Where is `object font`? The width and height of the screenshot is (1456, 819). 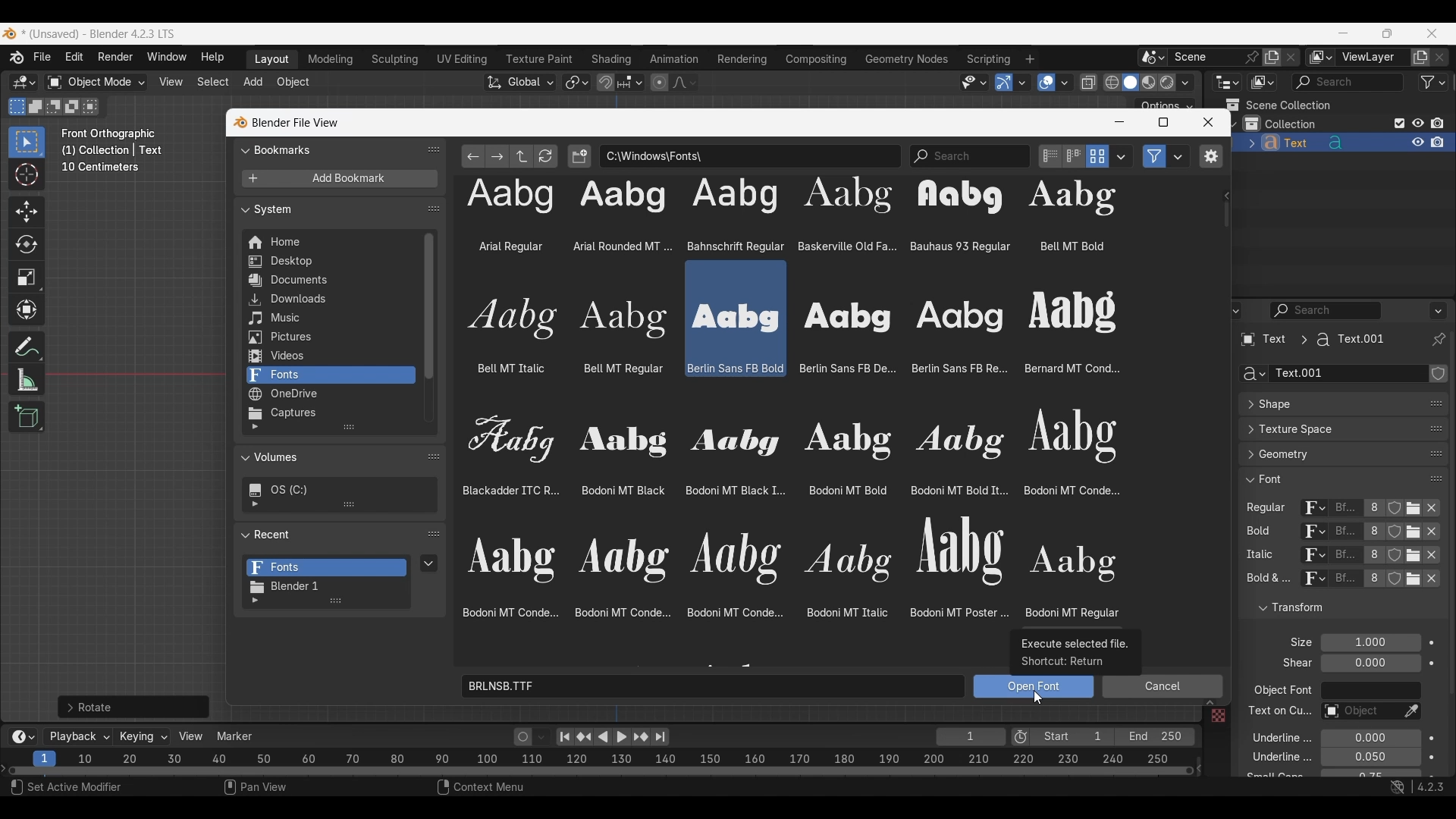
object font is located at coordinates (1282, 692).